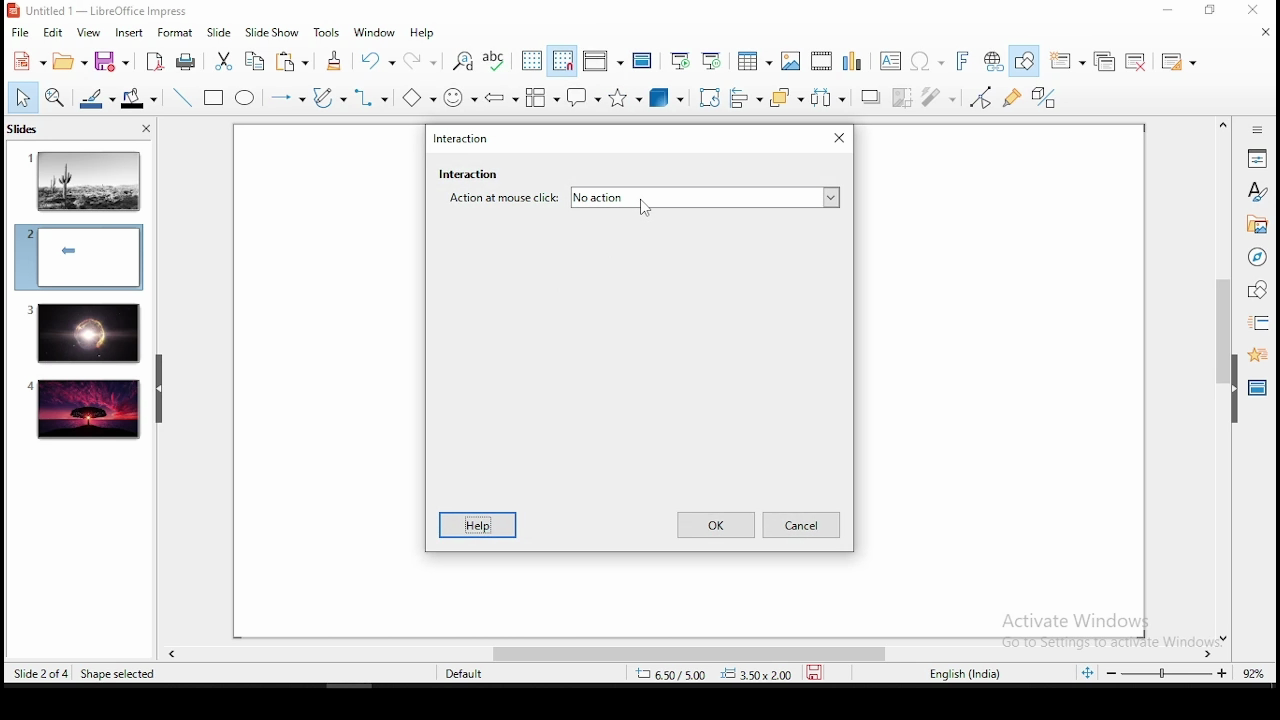  Describe the element at coordinates (1176, 62) in the screenshot. I see `slide layout` at that location.